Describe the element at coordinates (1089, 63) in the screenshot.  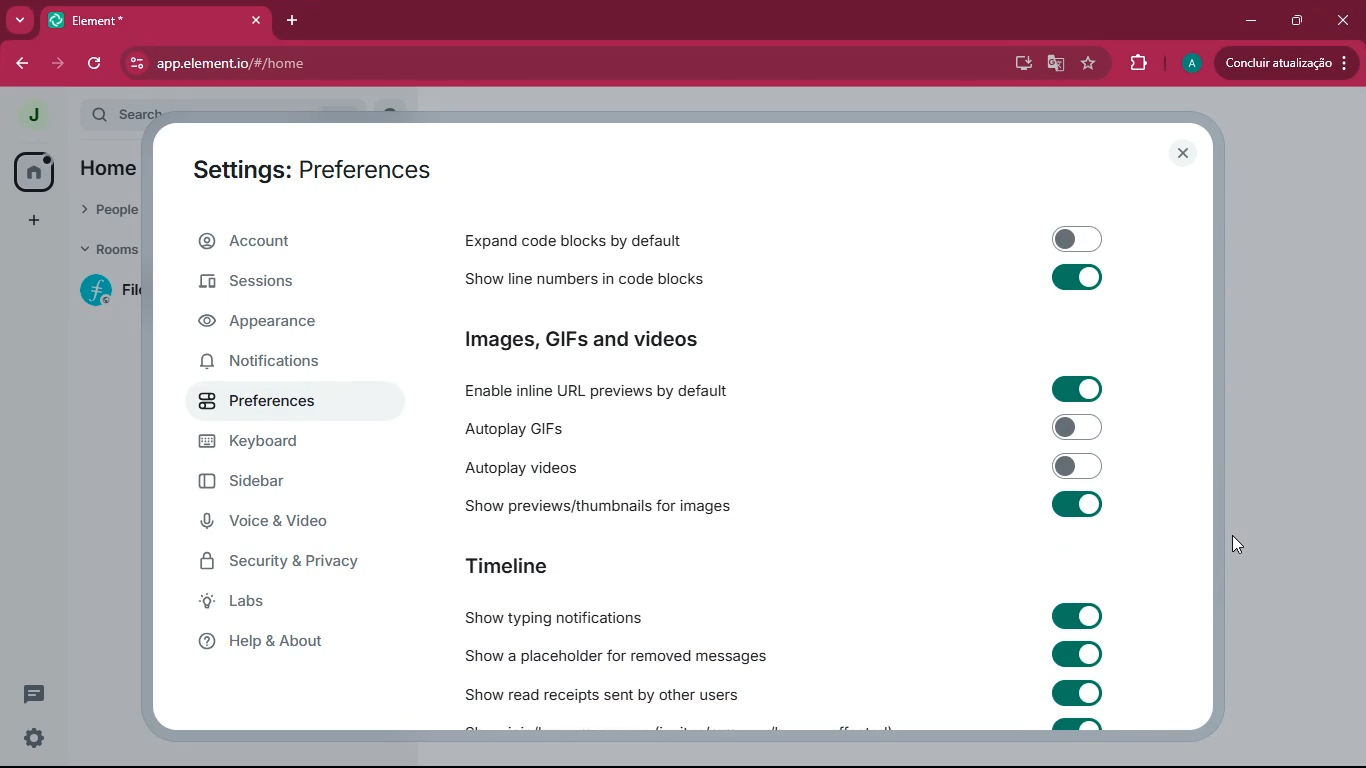
I see `favourite` at that location.